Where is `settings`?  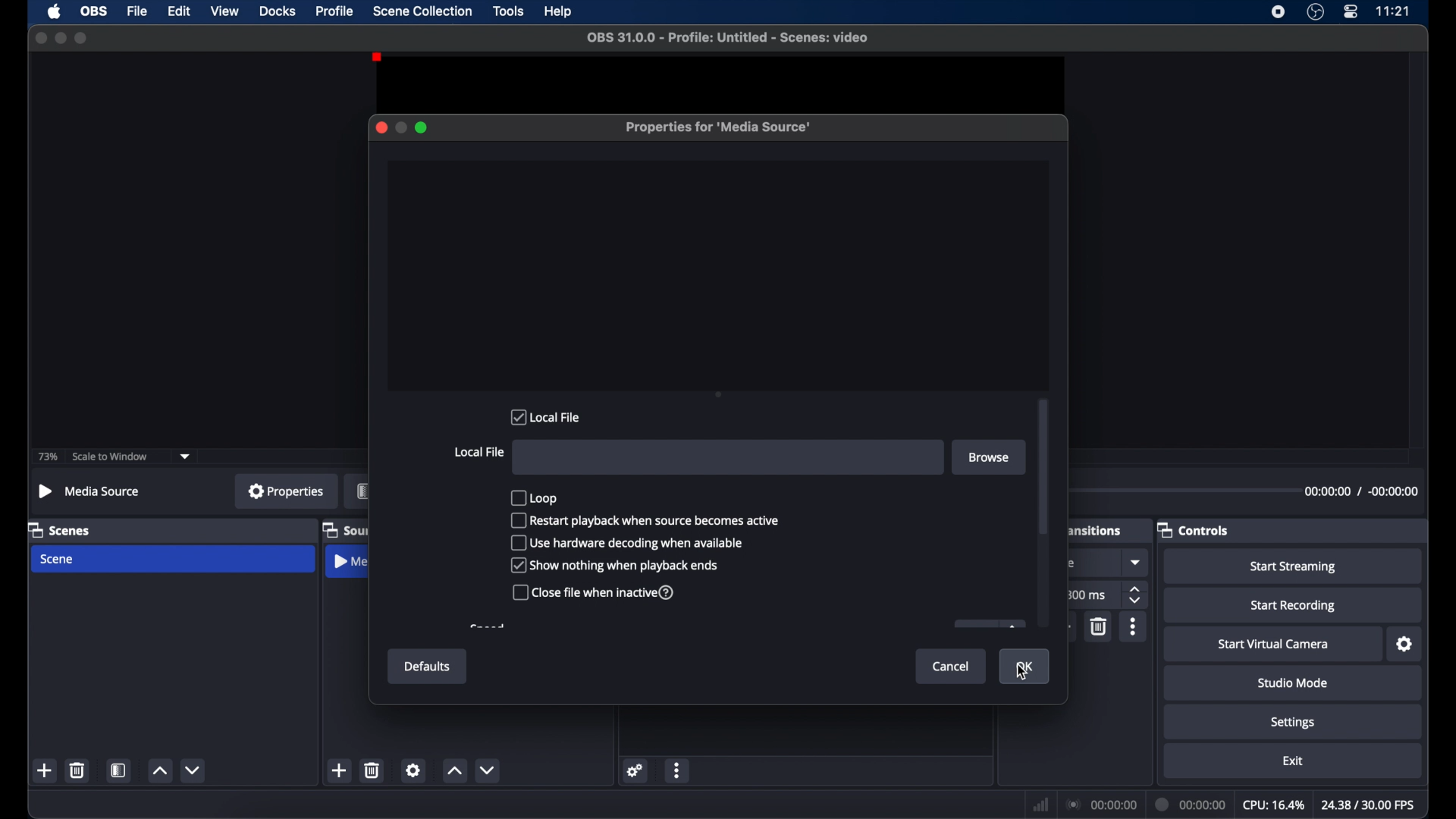
settings is located at coordinates (1406, 645).